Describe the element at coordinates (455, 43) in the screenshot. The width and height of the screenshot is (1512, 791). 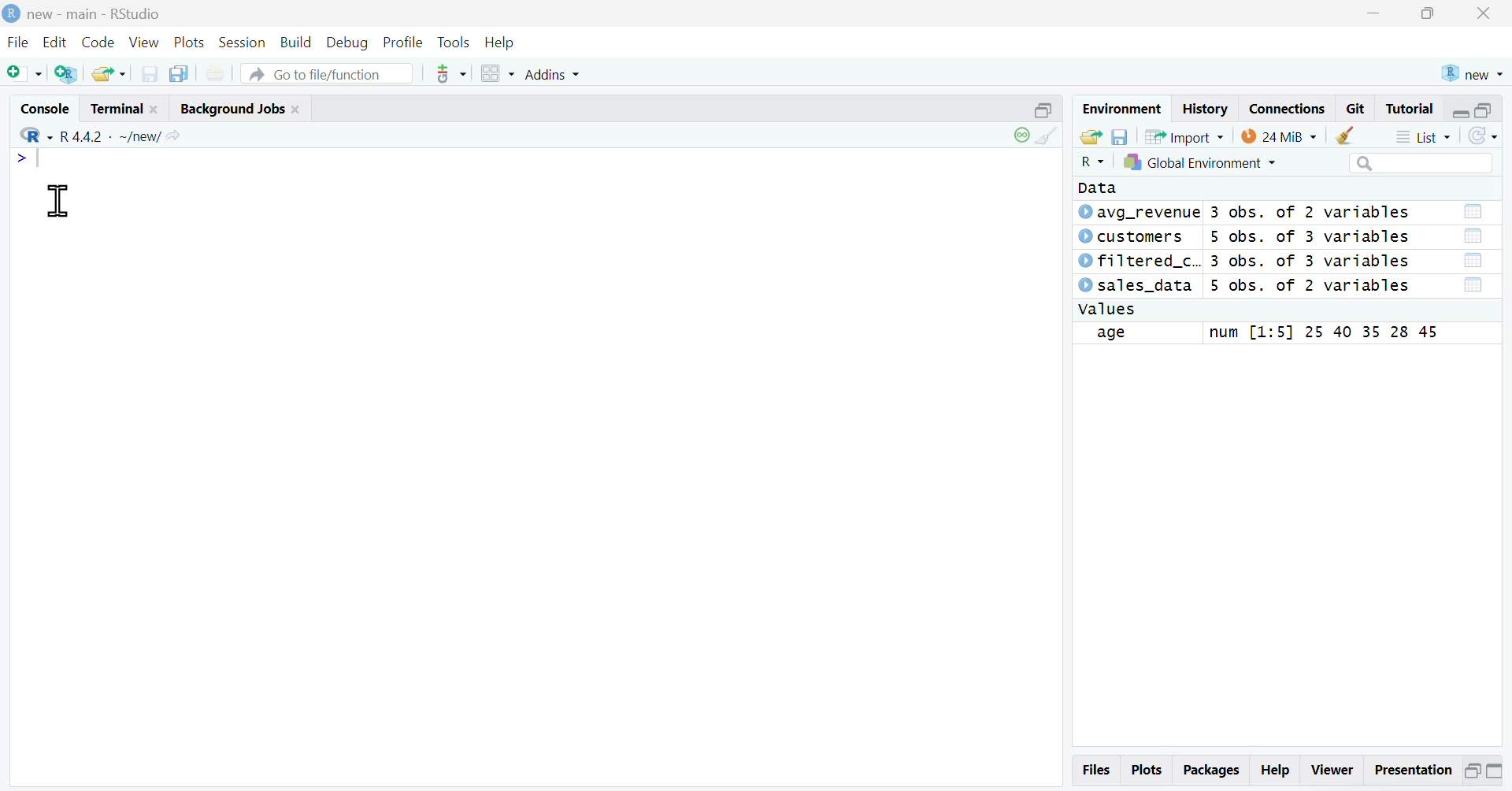
I see `Tools` at that location.